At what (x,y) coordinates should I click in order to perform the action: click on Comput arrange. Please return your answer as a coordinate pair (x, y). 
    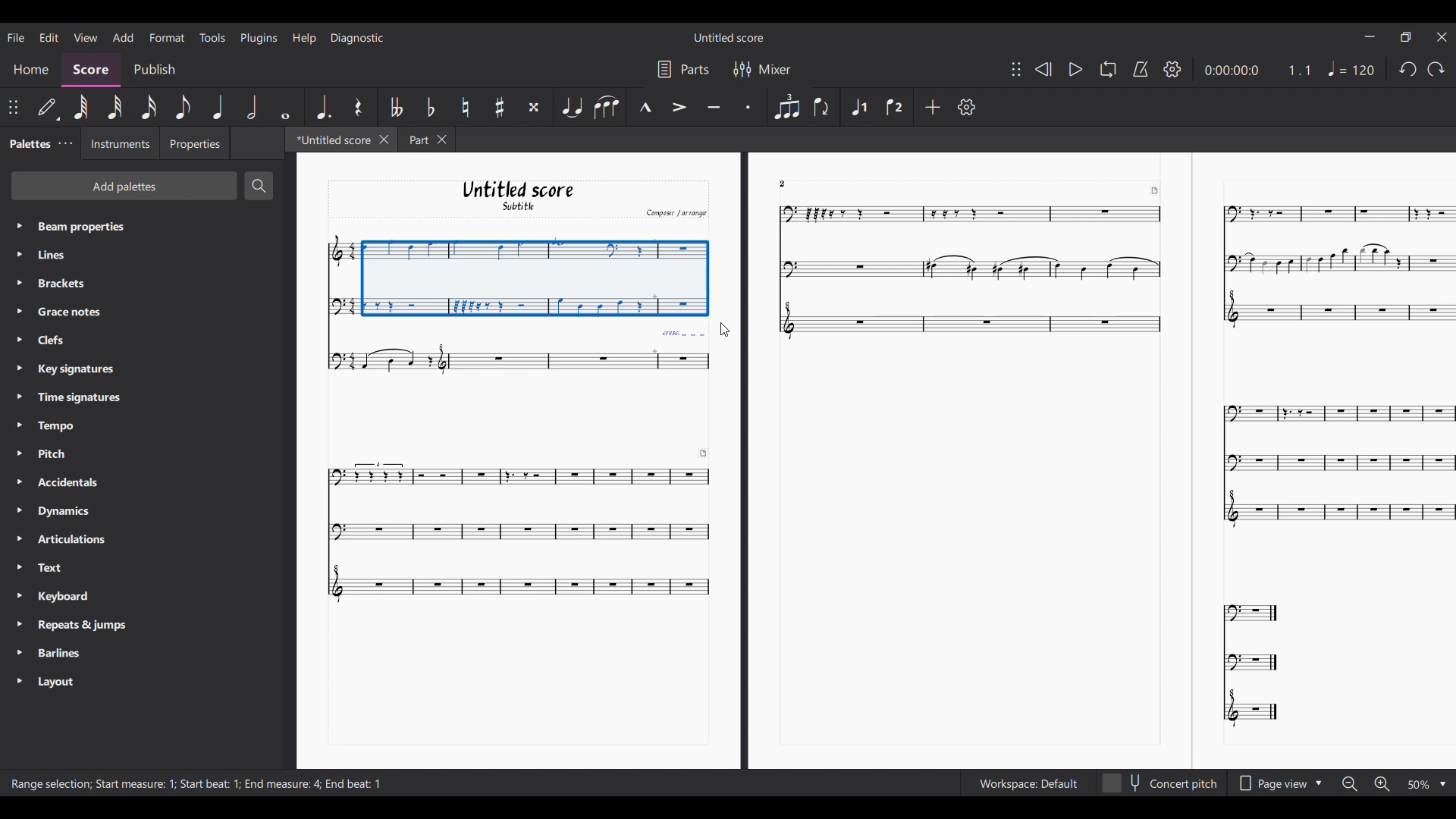
    Looking at the image, I should click on (673, 212).